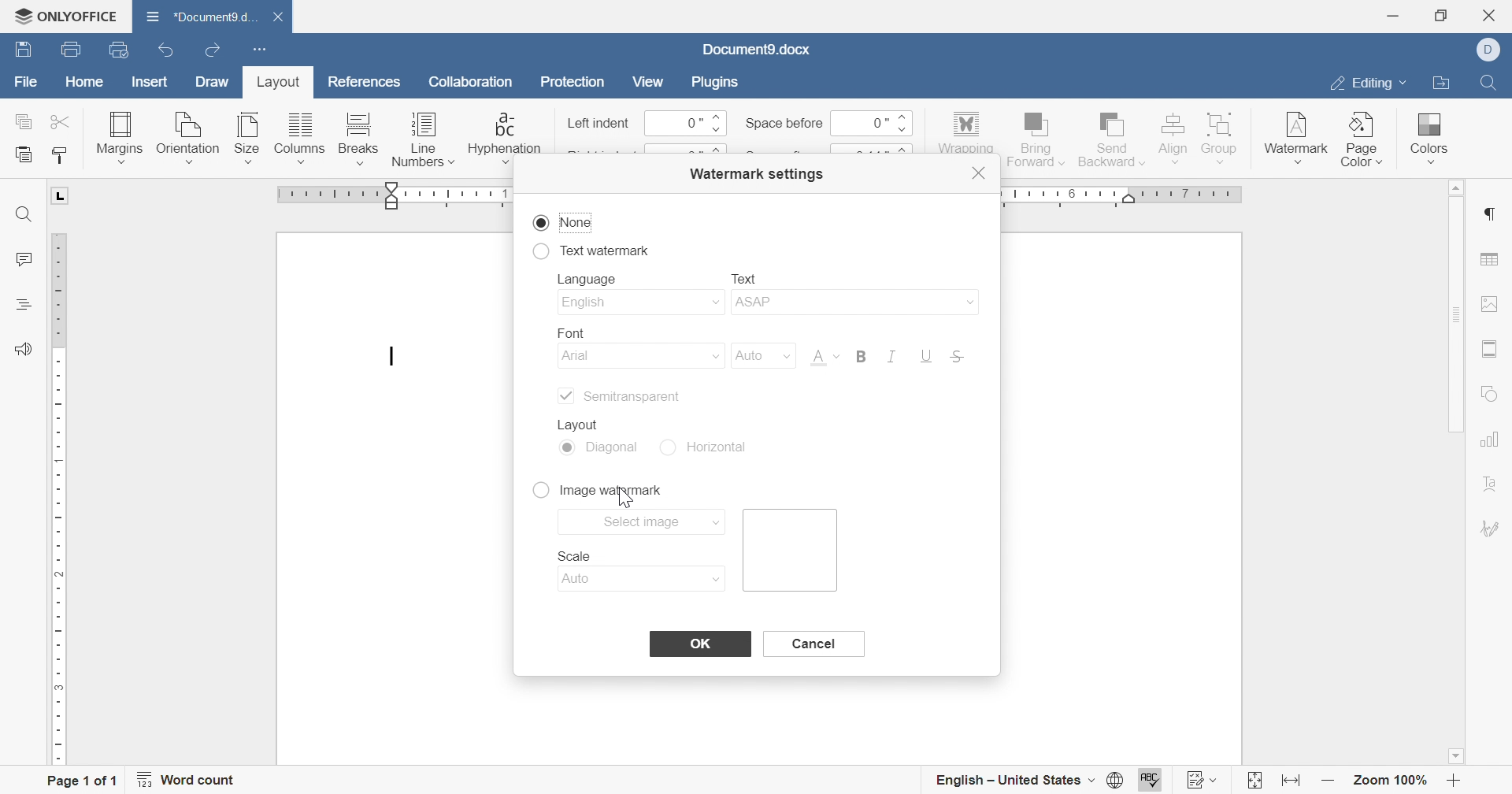  Describe the element at coordinates (784, 123) in the screenshot. I see `space before` at that location.